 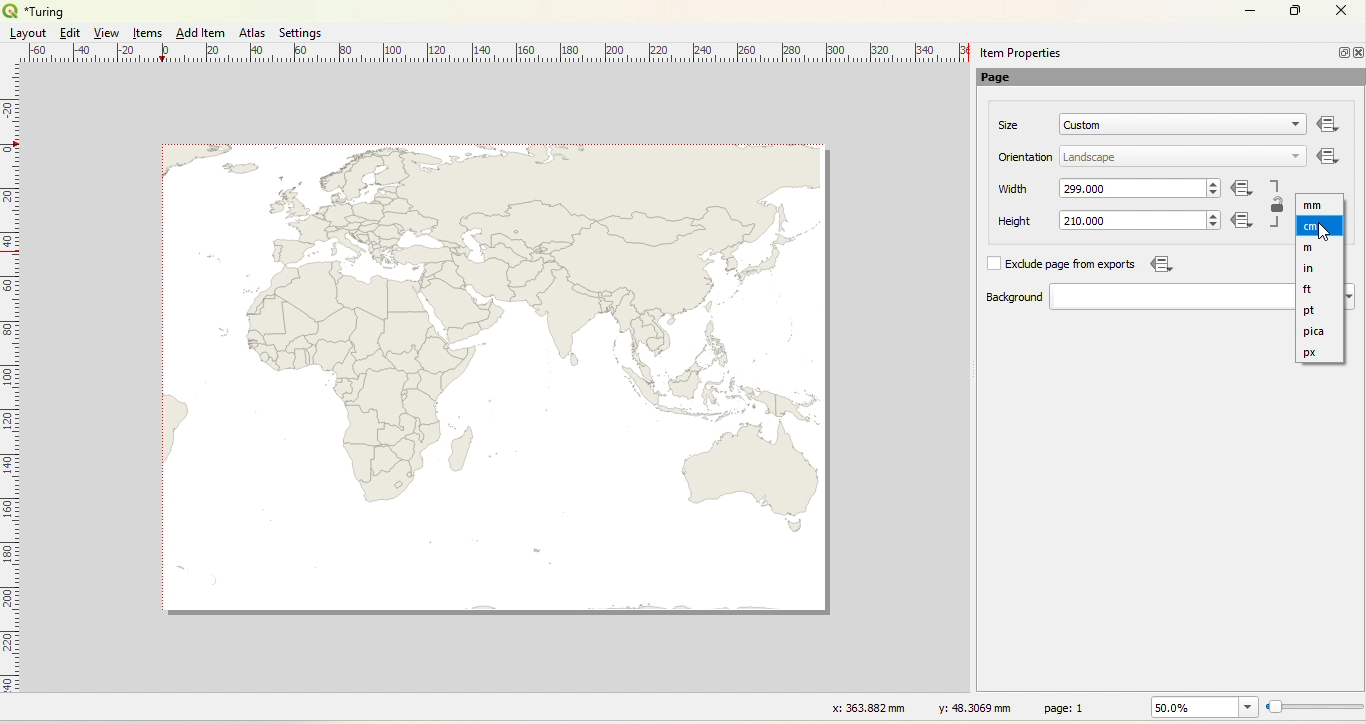 I want to click on , so click(x=1329, y=125).